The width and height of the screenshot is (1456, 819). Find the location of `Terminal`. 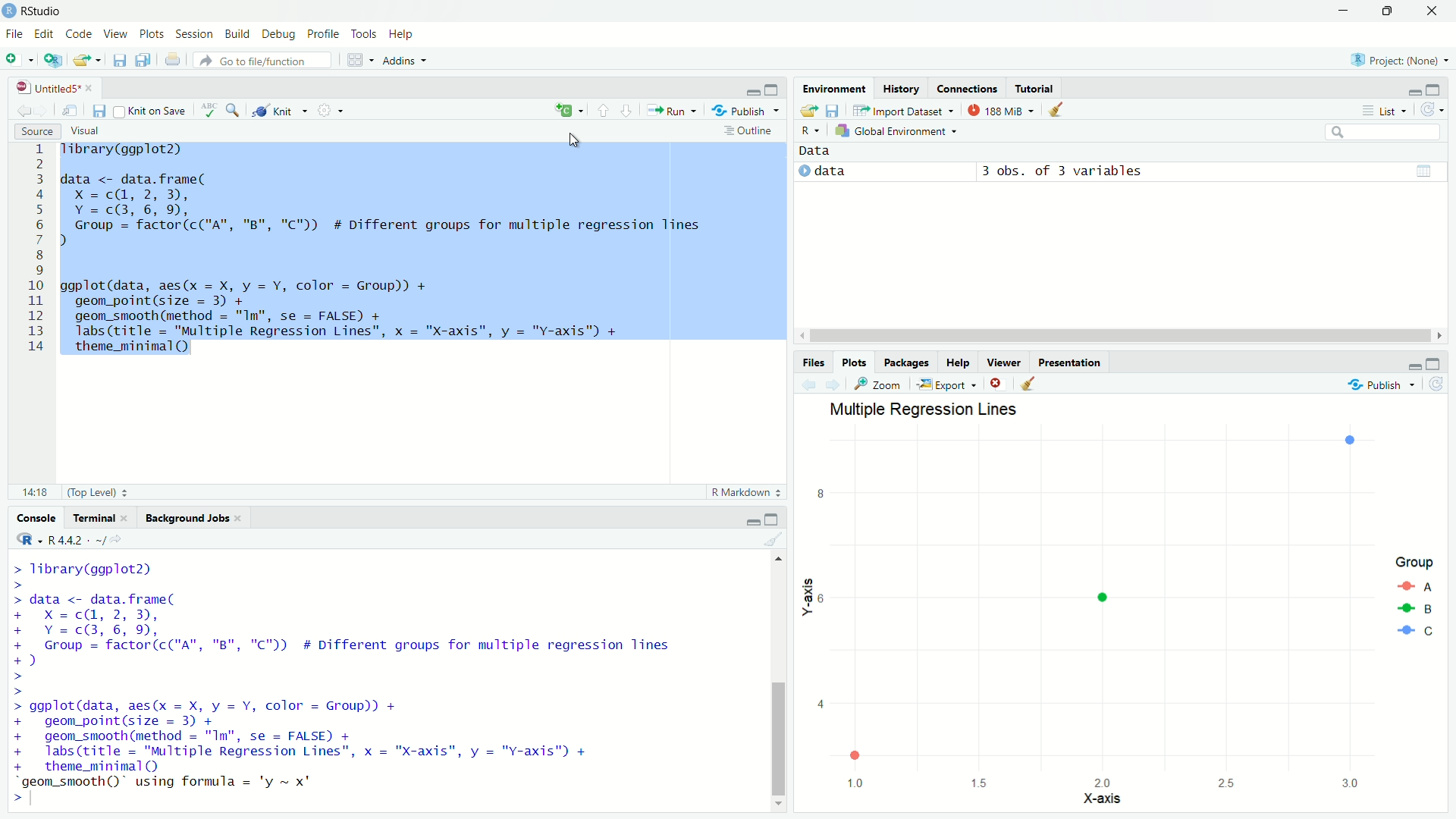

Terminal is located at coordinates (90, 516).